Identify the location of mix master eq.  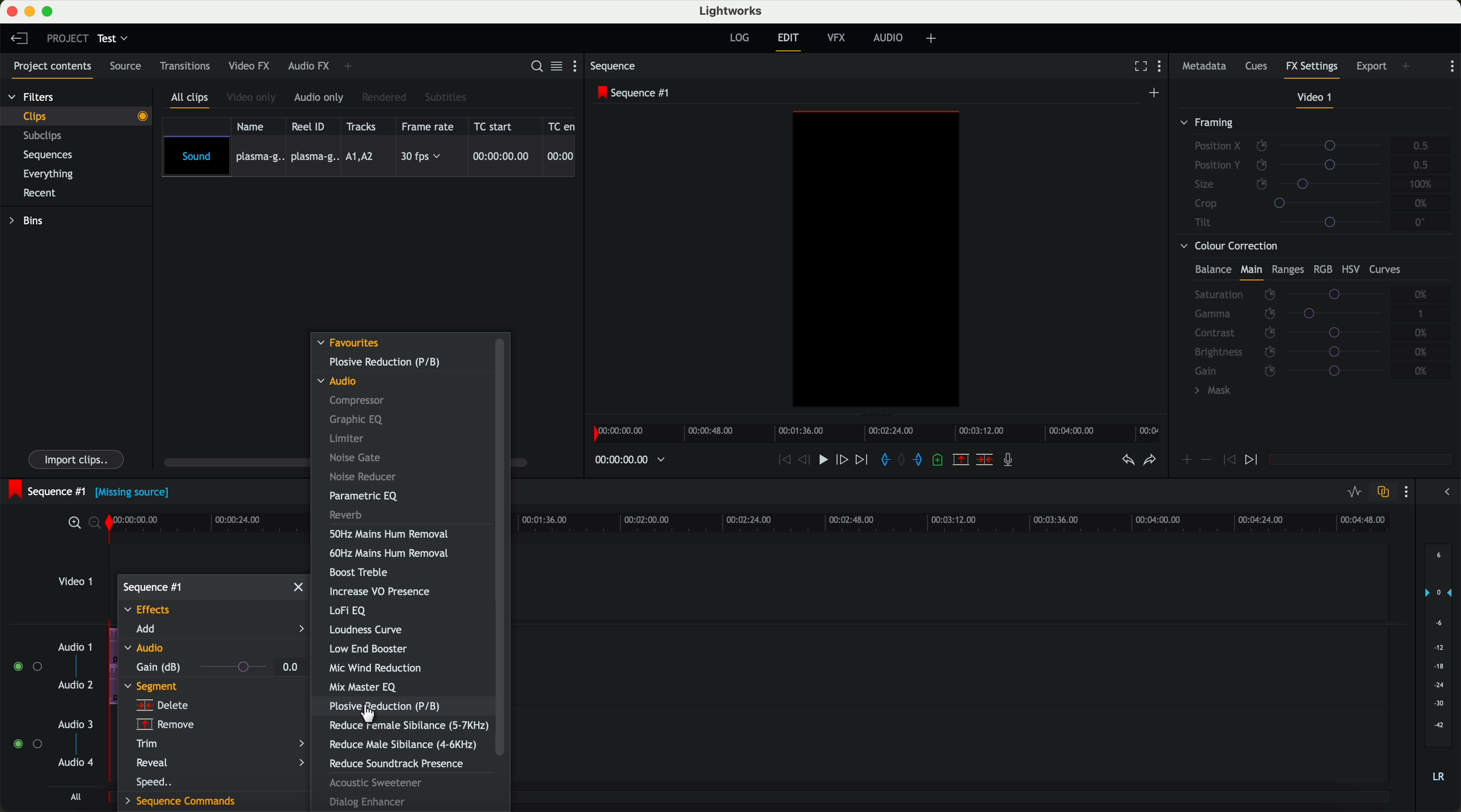
(363, 687).